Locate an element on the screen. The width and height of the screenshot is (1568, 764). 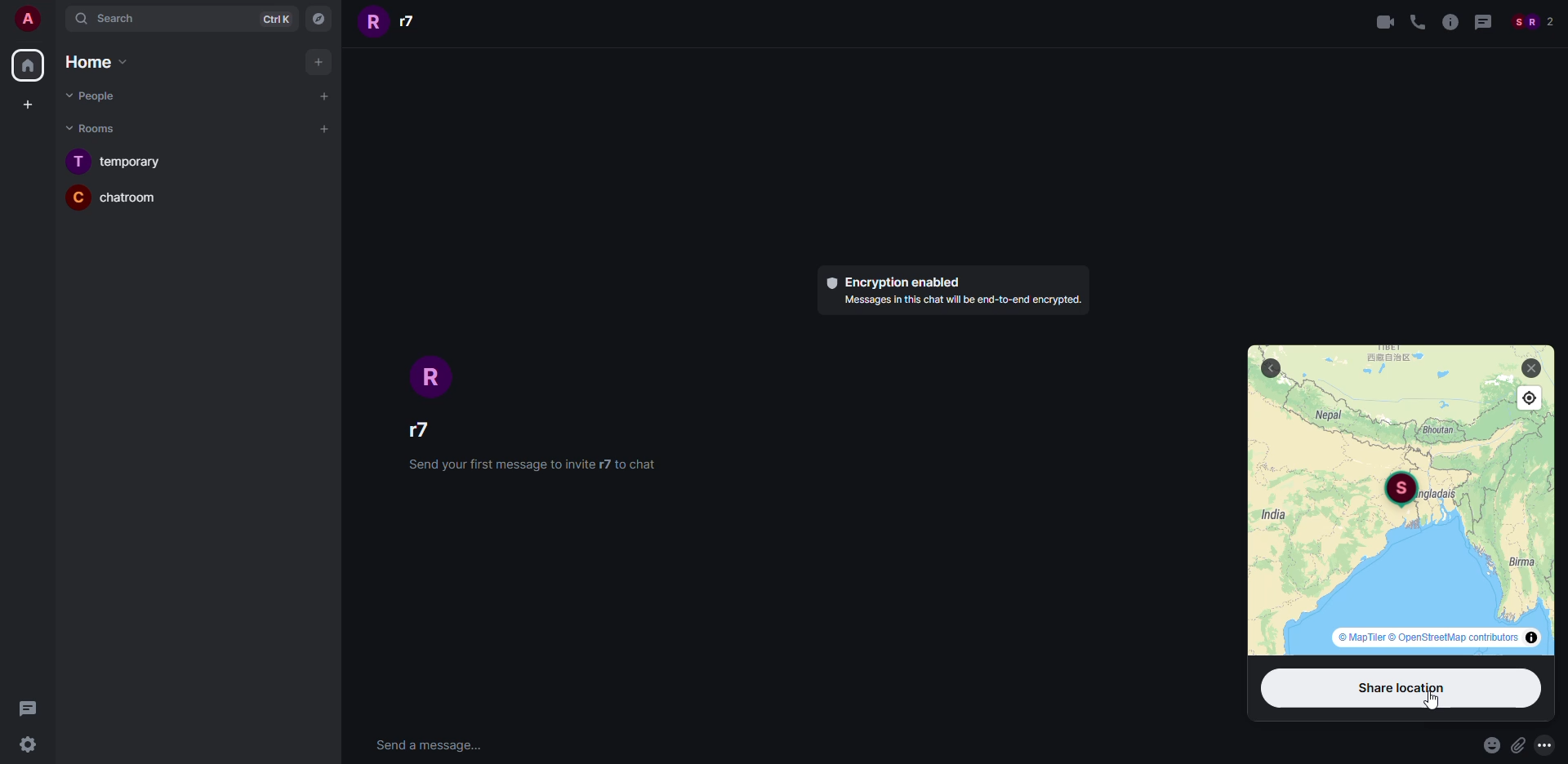
Chatroom is located at coordinates (114, 196).